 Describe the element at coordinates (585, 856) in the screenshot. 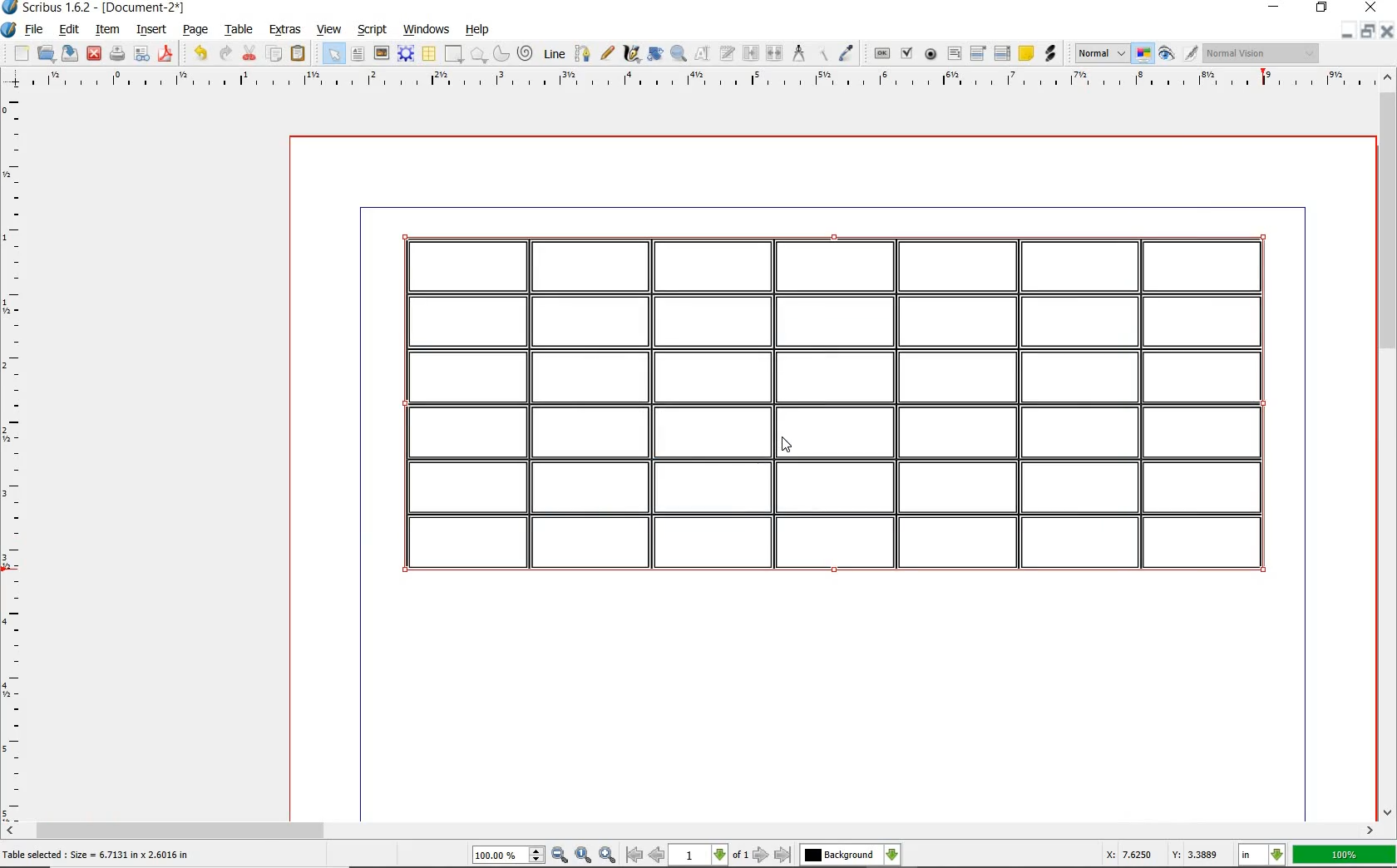

I see `zoom to` at that location.